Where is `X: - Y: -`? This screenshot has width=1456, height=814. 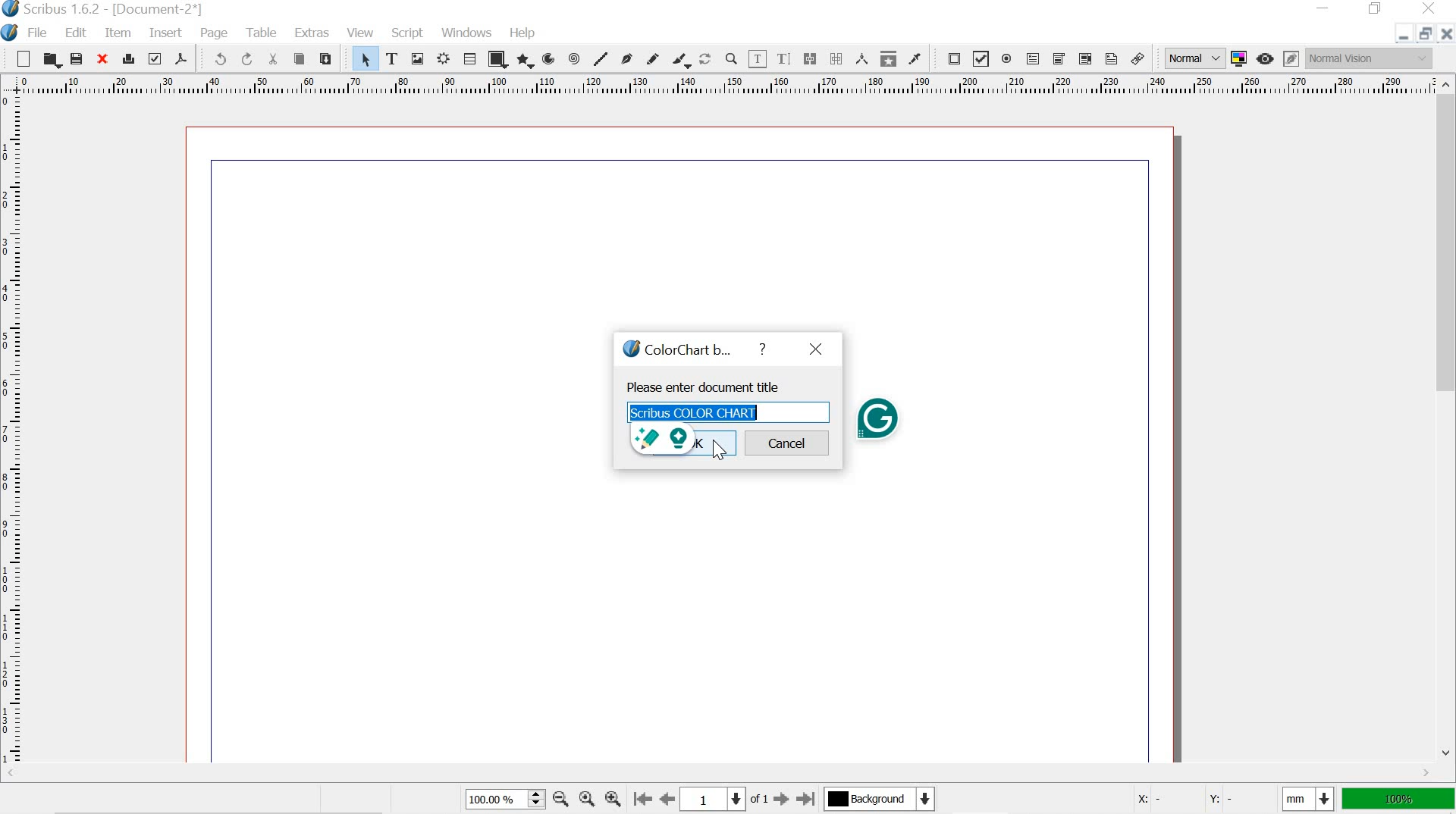 X: - Y: - is located at coordinates (1197, 800).